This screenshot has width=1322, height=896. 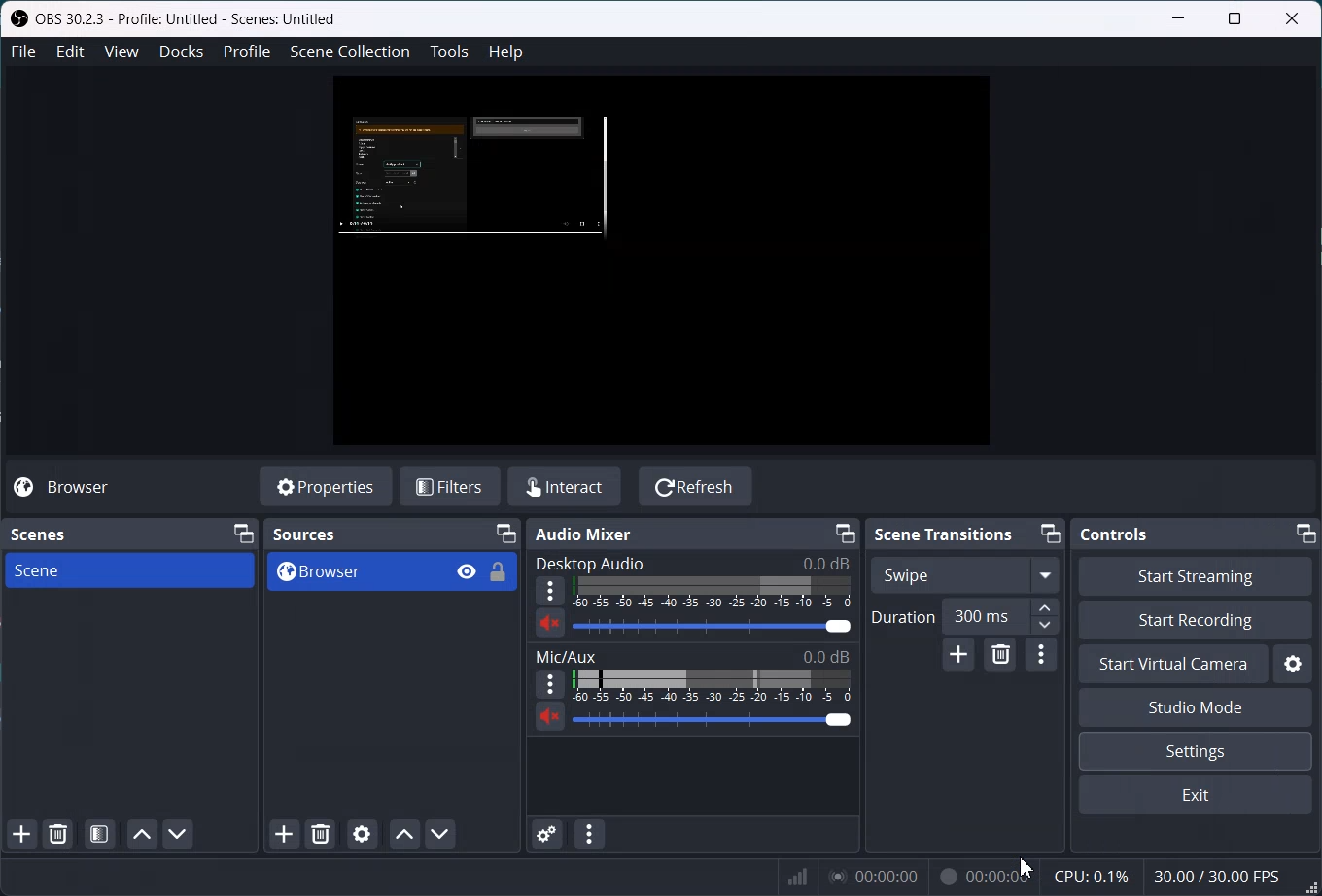 I want to click on Source preview, so click(x=471, y=175).